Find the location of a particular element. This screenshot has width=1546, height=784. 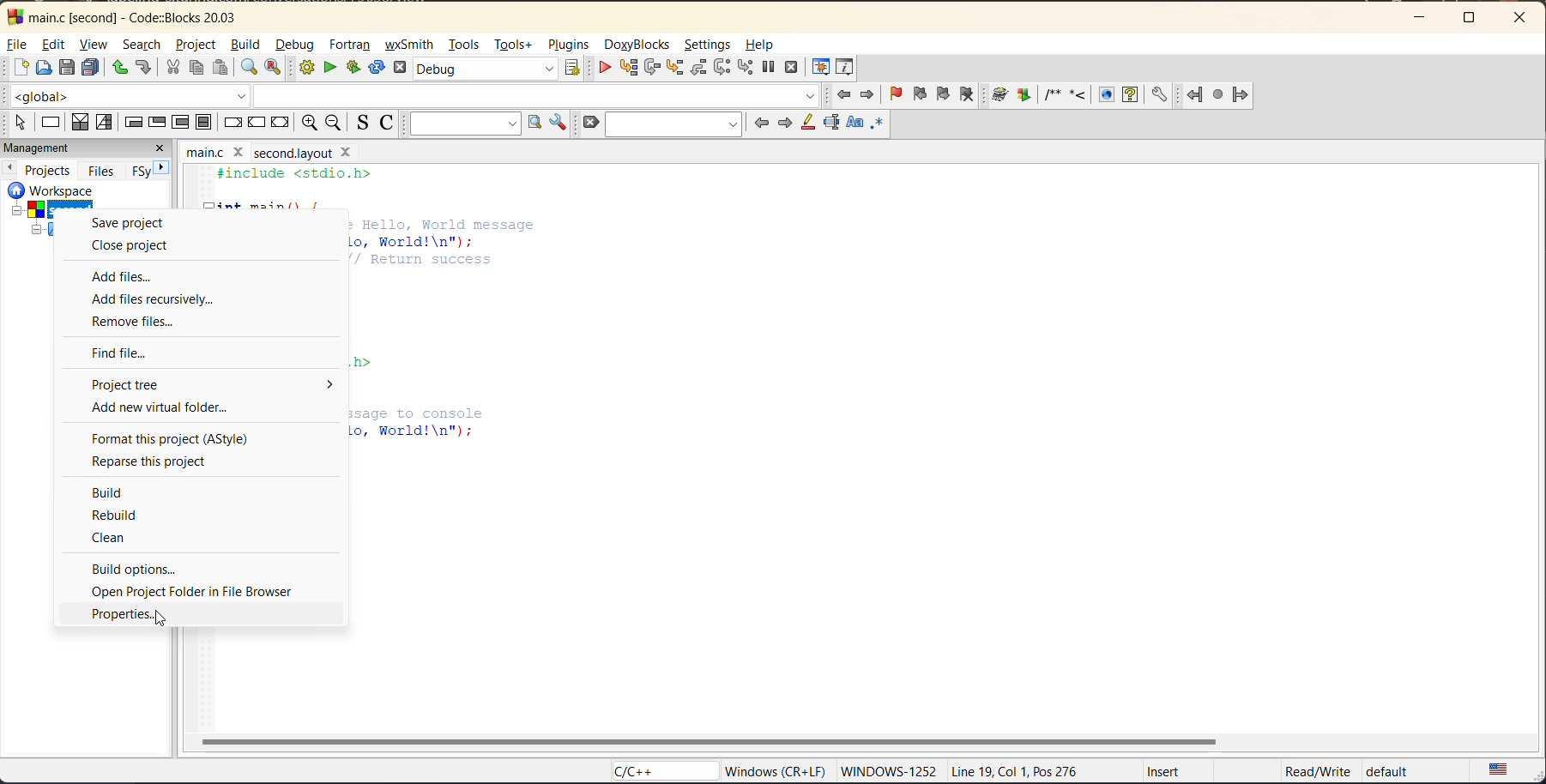

reparse this project is located at coordinates (153, 461).